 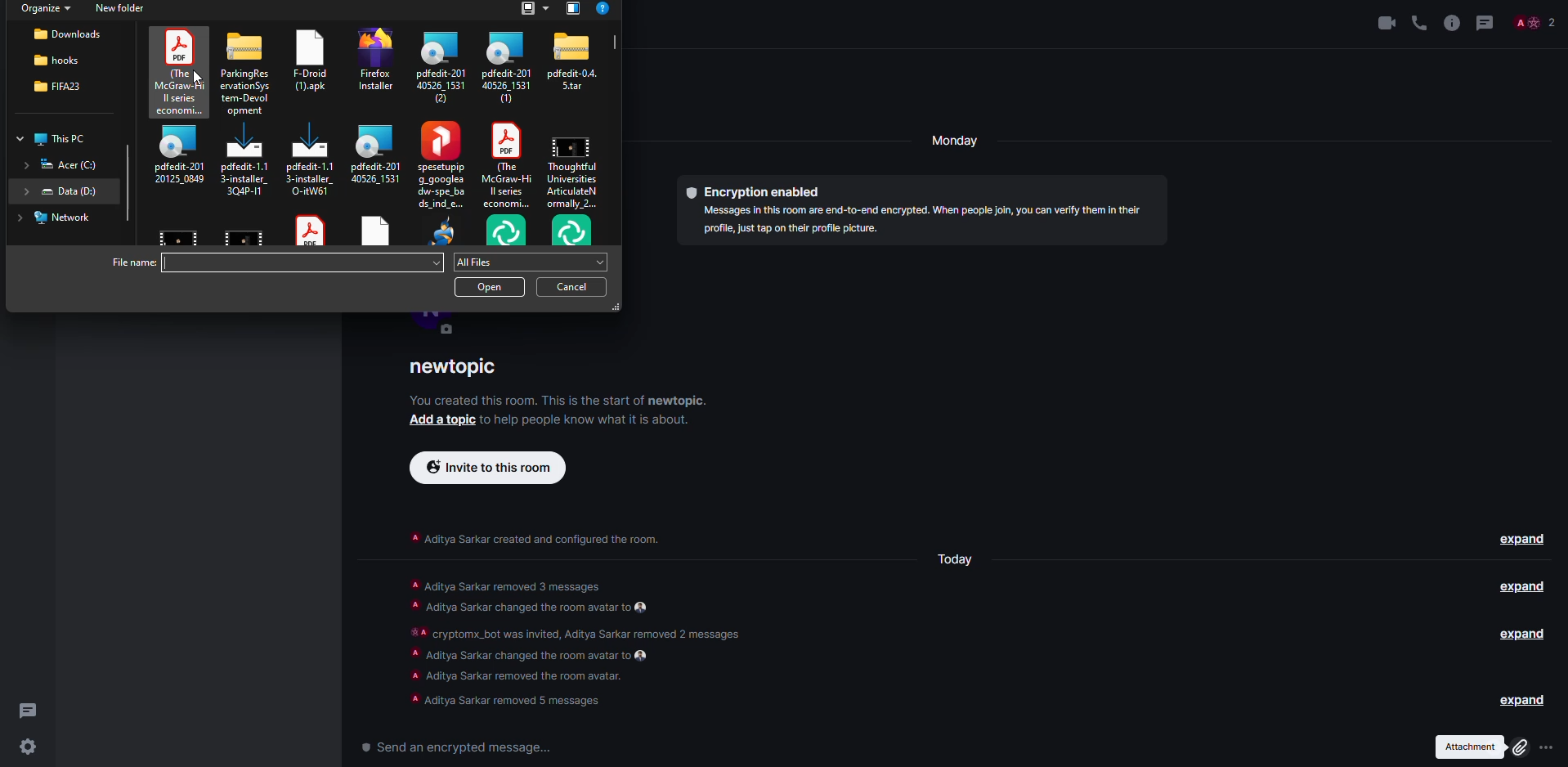 I want to click on file, so click(x=446, y=164).